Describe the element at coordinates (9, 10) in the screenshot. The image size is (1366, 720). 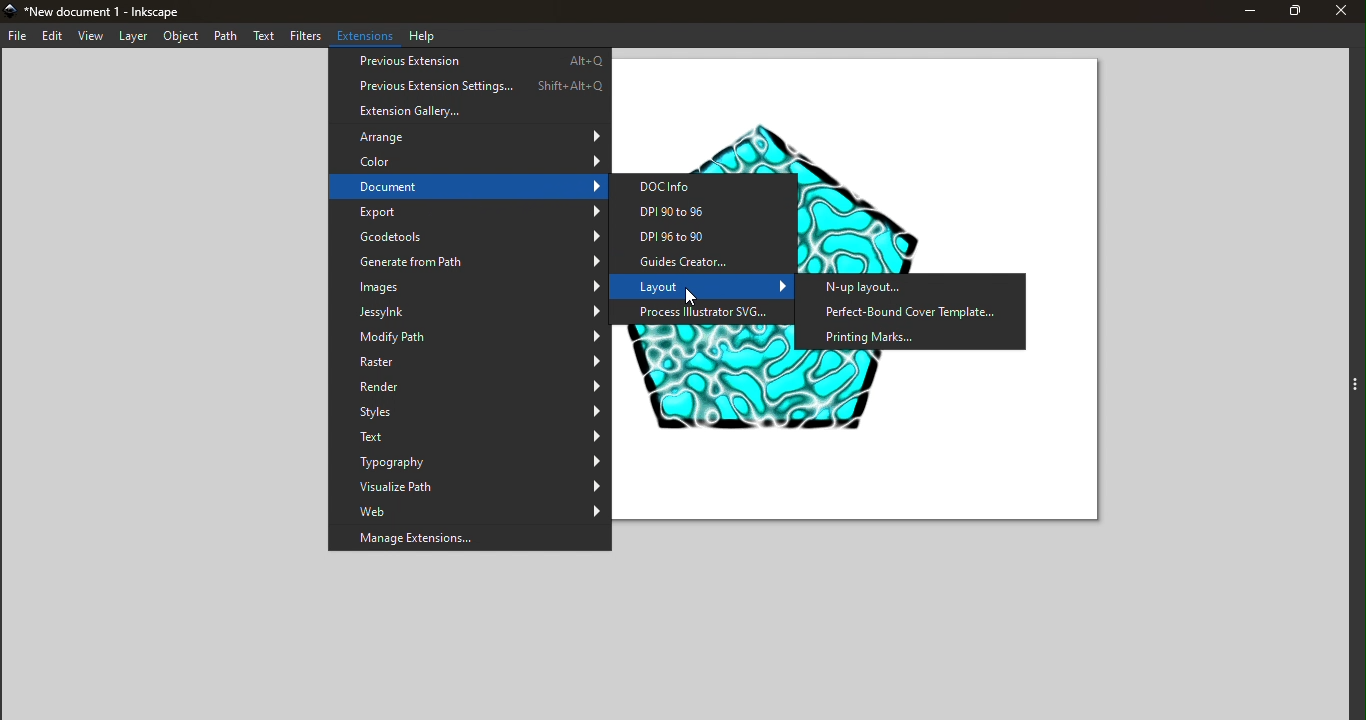
I see `app Icon` at that location.